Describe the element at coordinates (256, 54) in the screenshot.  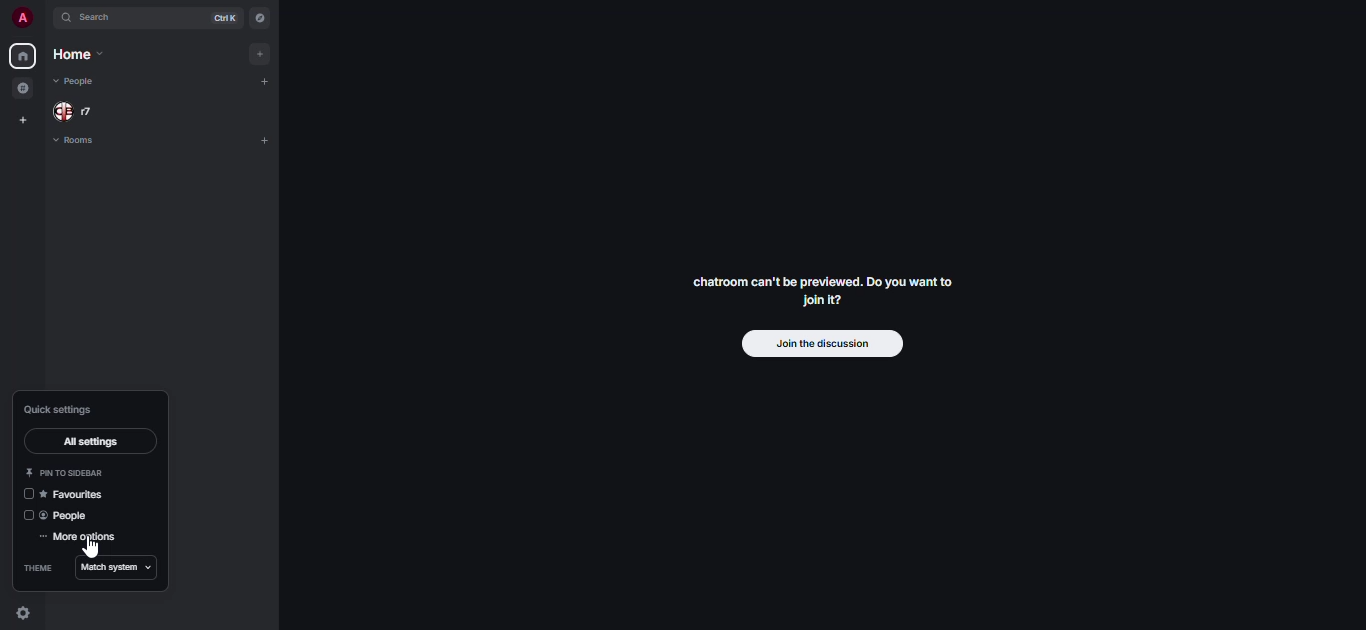
I see `add` at that location.